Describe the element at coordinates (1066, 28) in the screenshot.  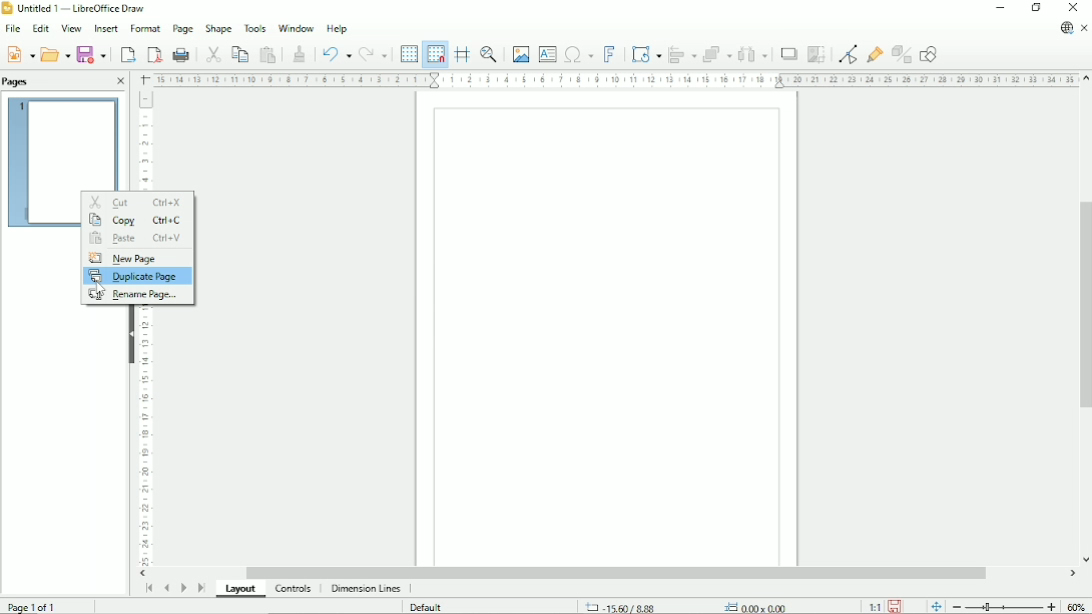
I see `Update available` at that location.